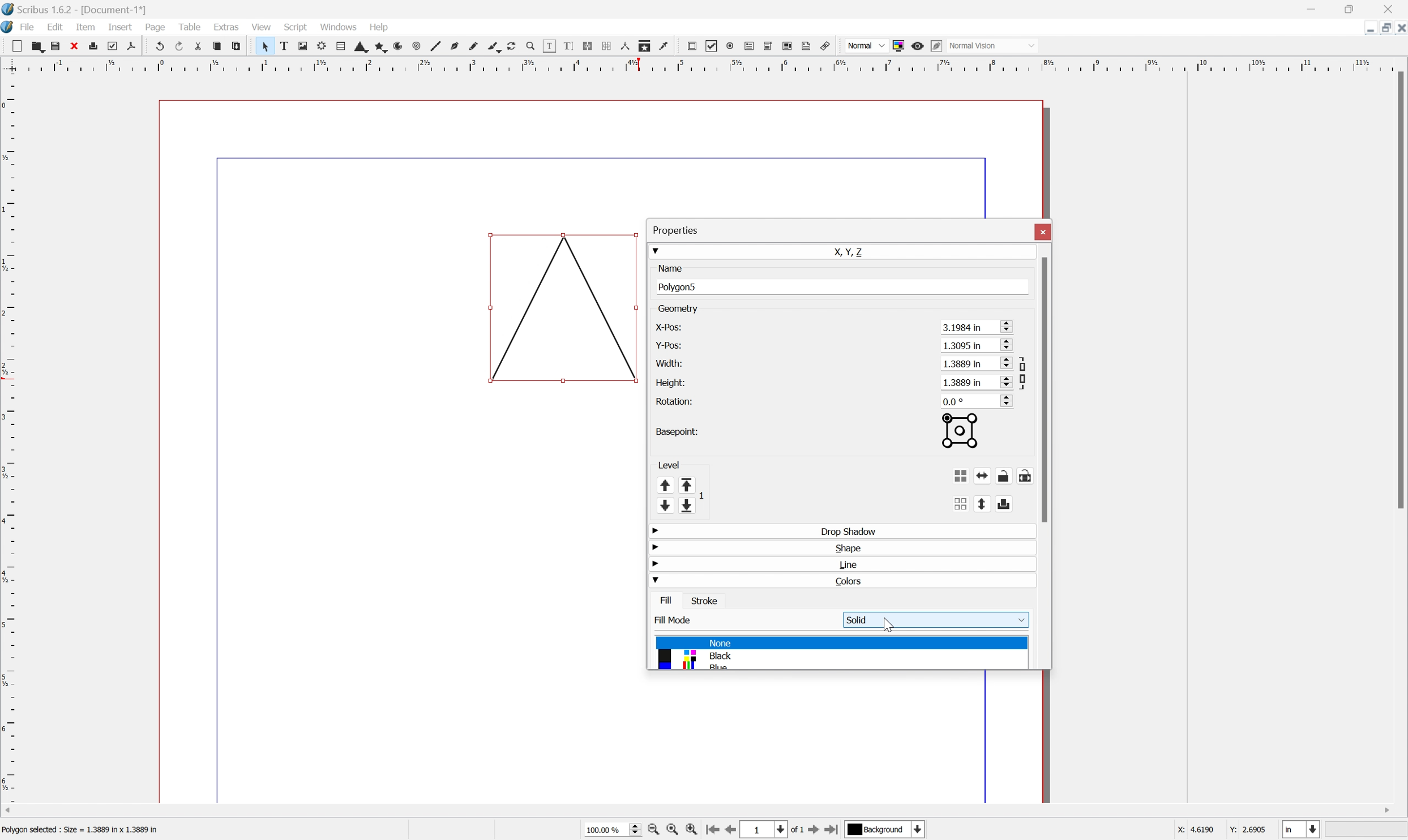  What do you see at coordinates (977, 382) in the screenshot?
I see `1.3889 in` at bounding box center [977, 382].